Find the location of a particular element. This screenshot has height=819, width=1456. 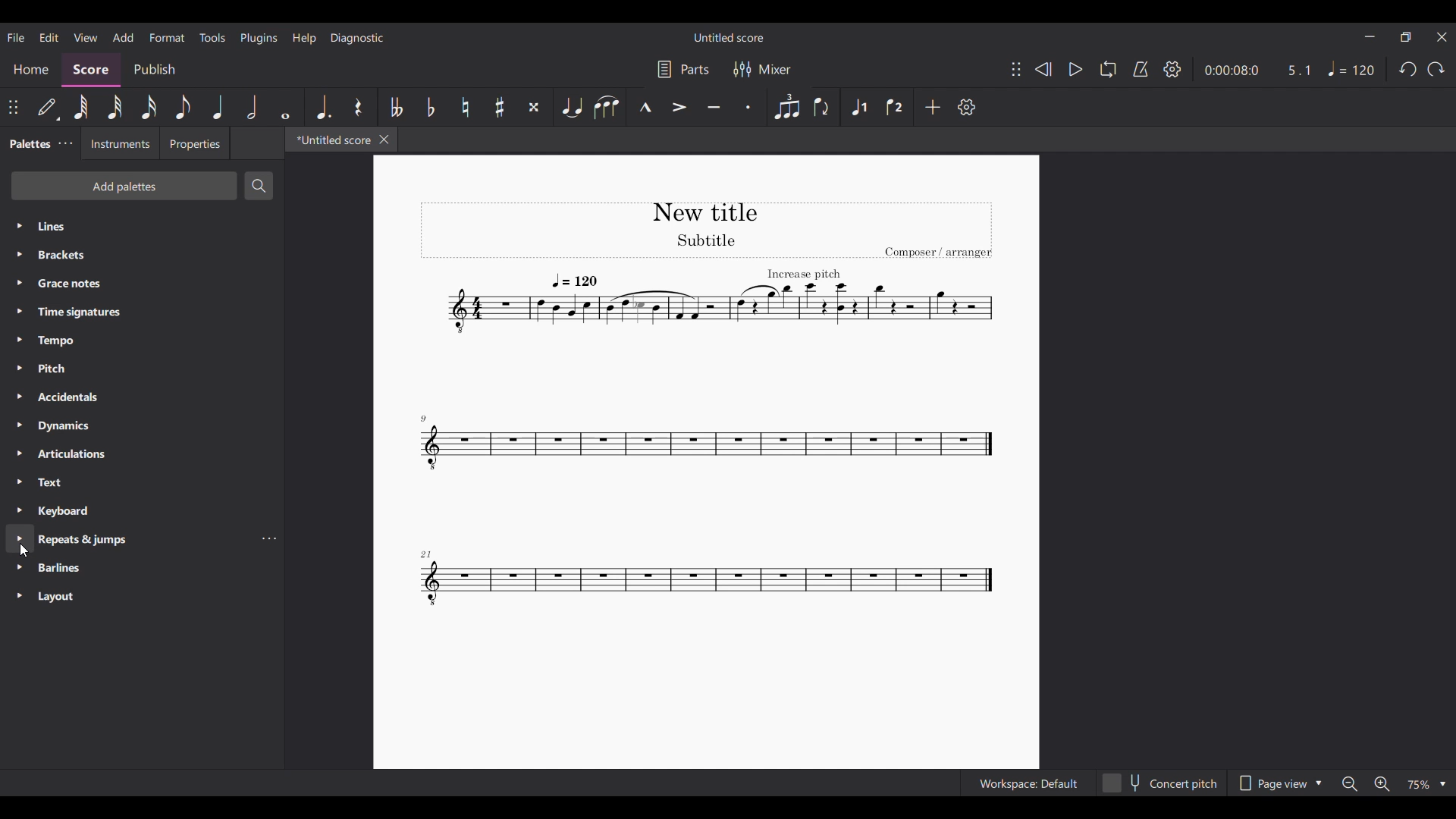

Add palettes is located at coordinates (124, 186).